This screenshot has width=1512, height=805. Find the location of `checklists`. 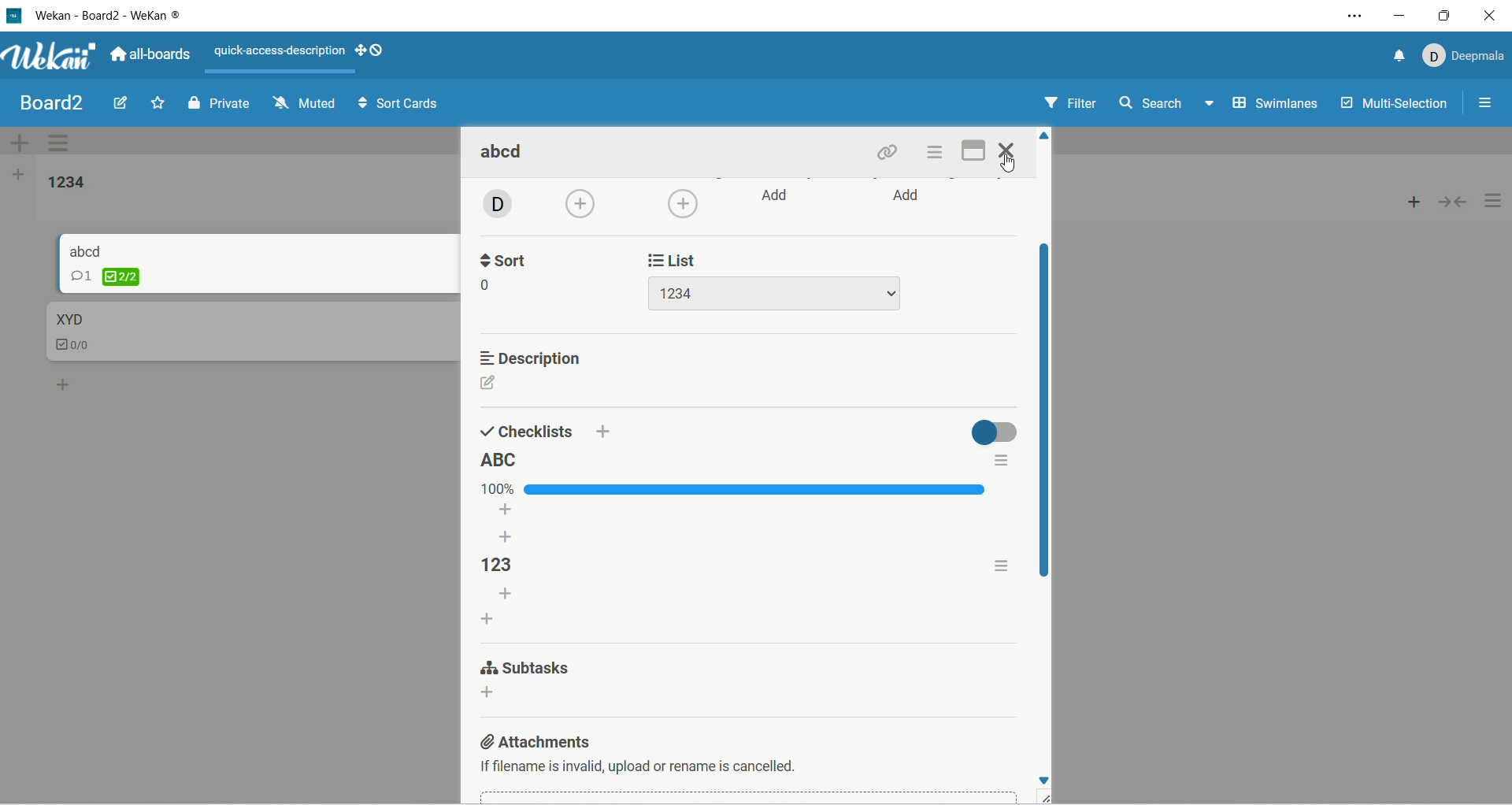

checklists is located at coordinates (527, 430).